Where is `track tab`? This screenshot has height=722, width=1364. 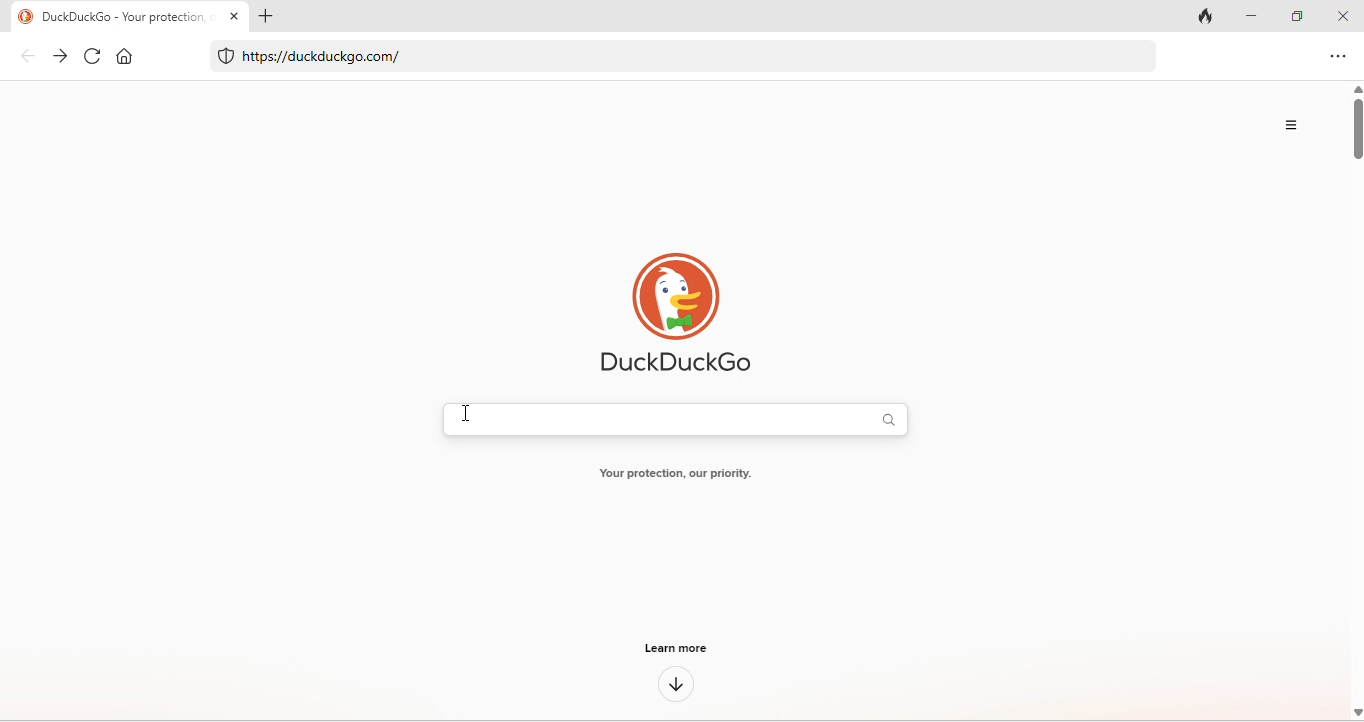
track tab is located at coordinates (1202, 16).